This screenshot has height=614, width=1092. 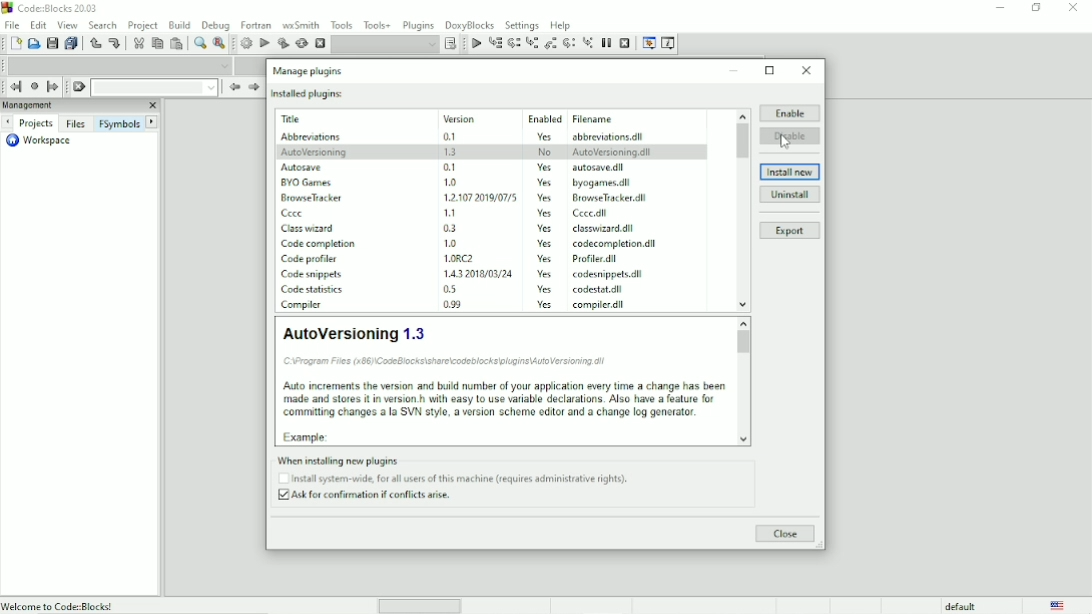 I want to click on , so click(x=494, y=43).